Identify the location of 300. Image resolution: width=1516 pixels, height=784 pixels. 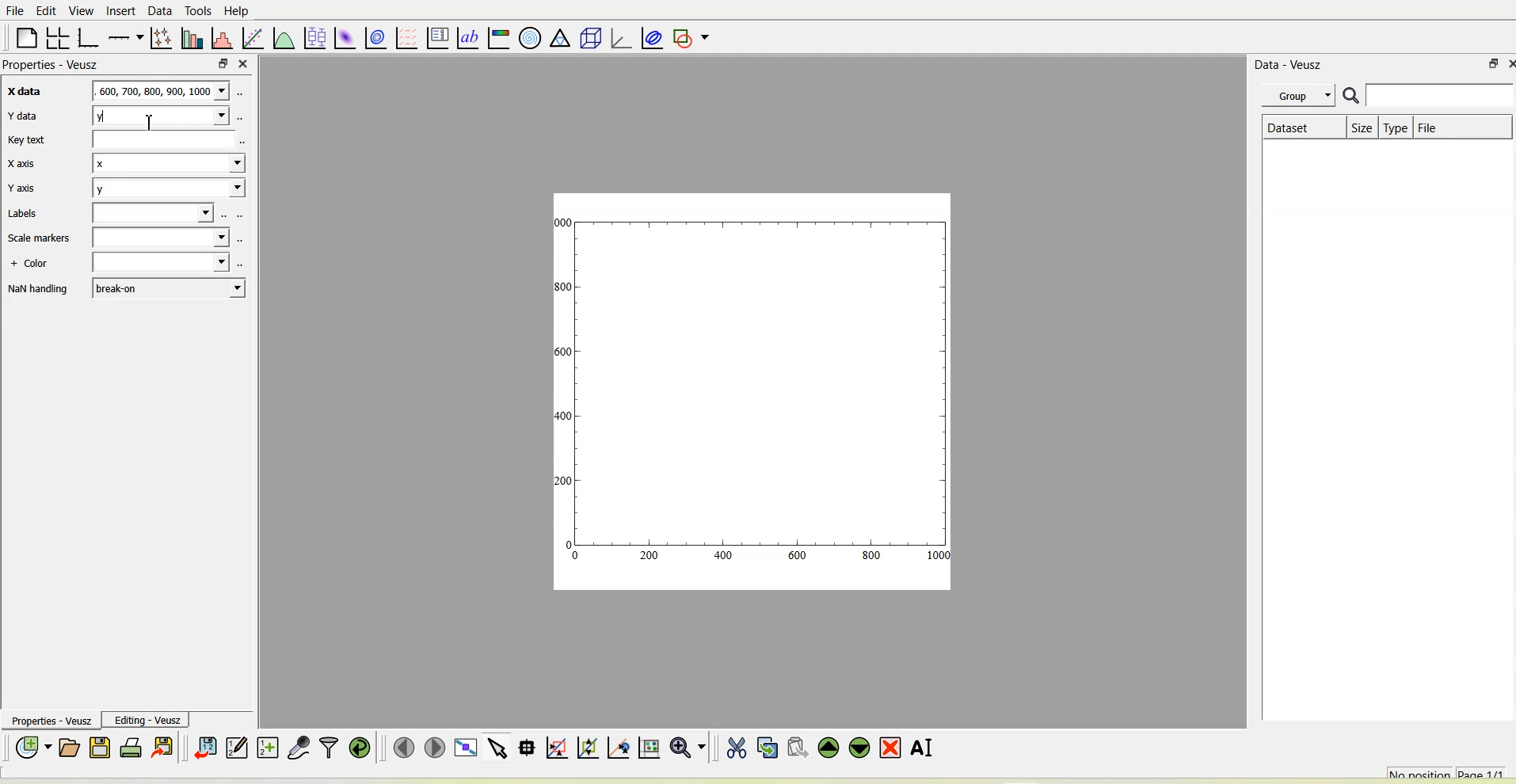
(565, 286).